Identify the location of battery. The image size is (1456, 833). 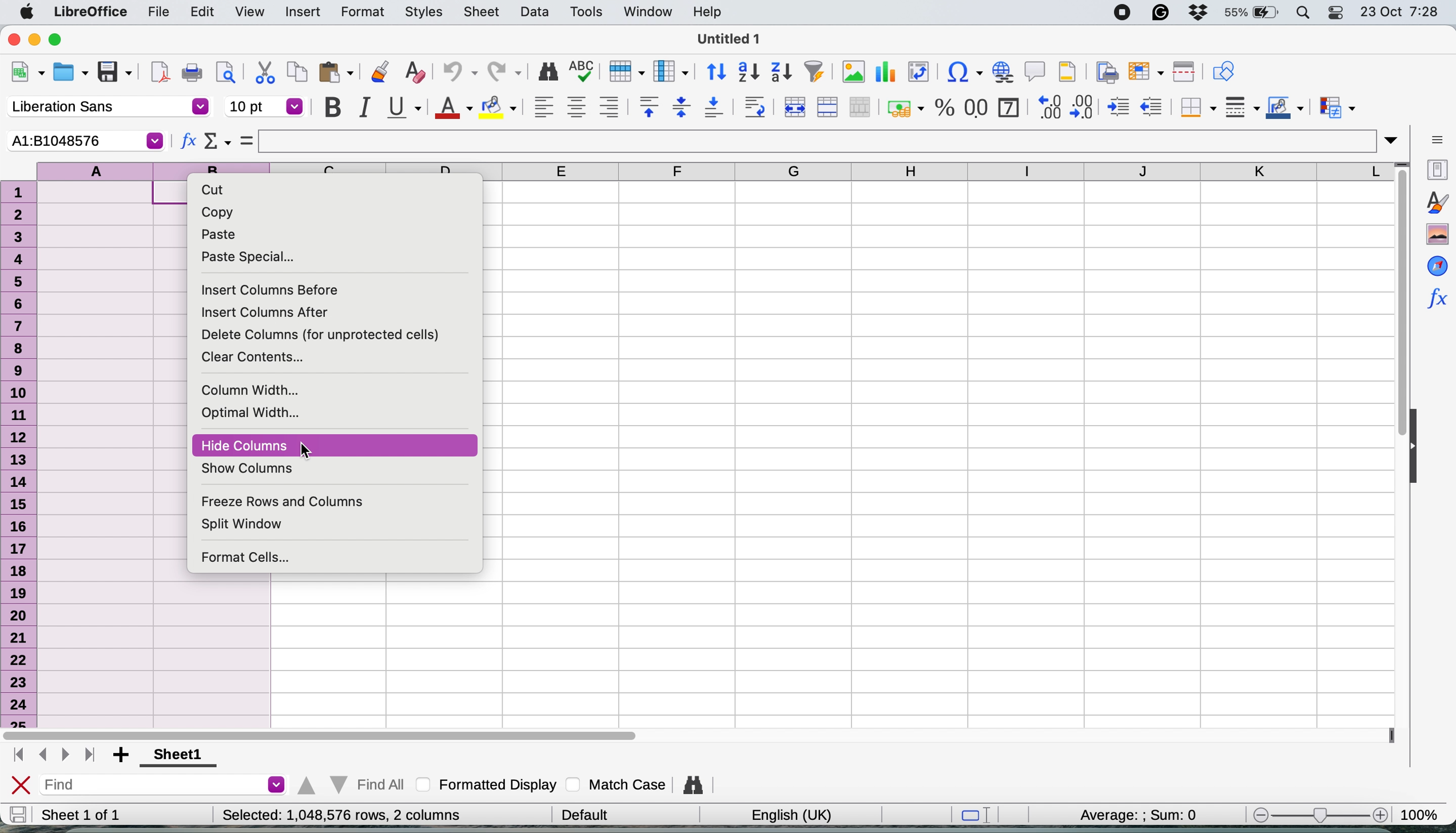
(1248, 13).